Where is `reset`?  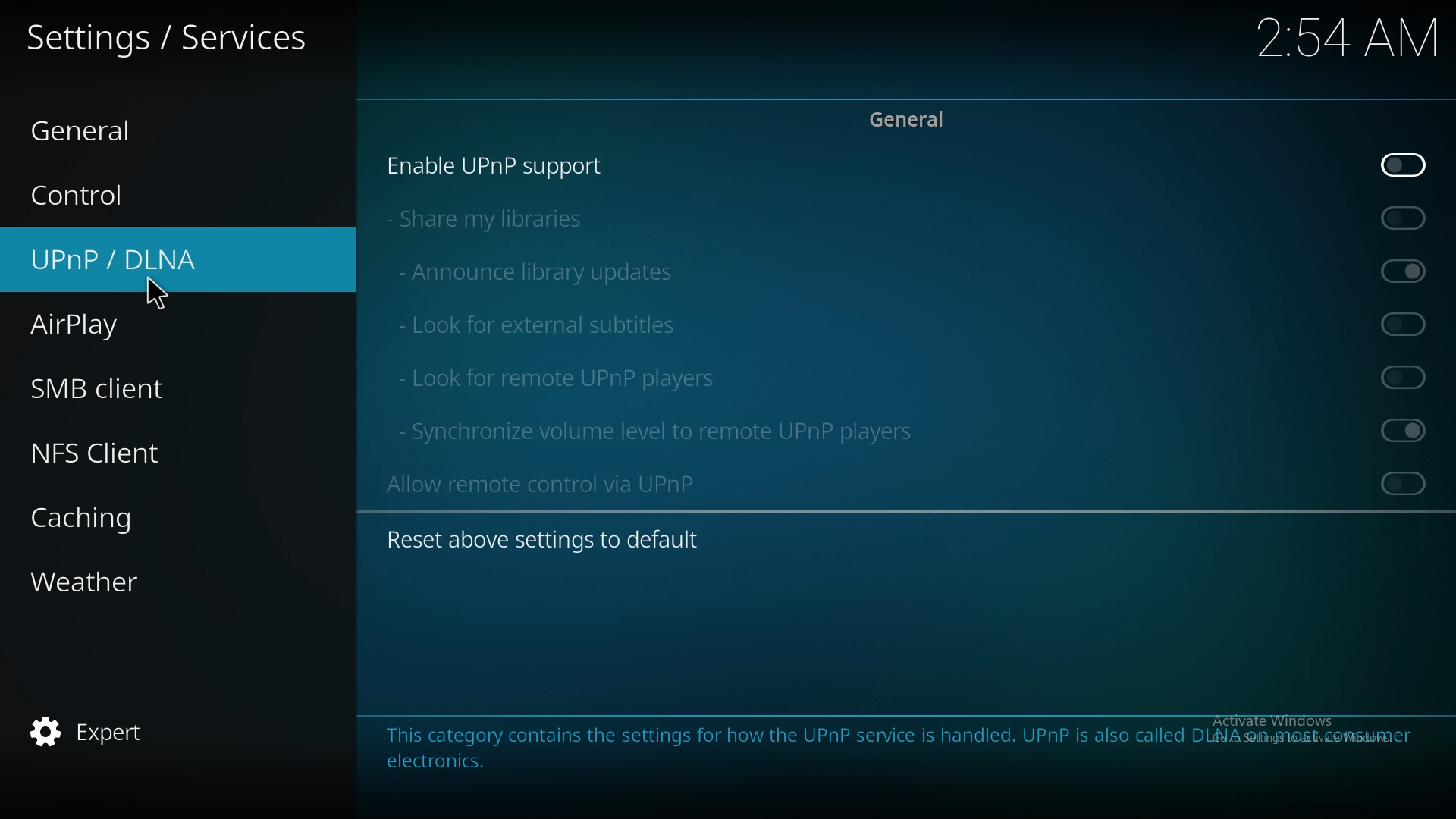 reset is located at coordinates (555, 540).